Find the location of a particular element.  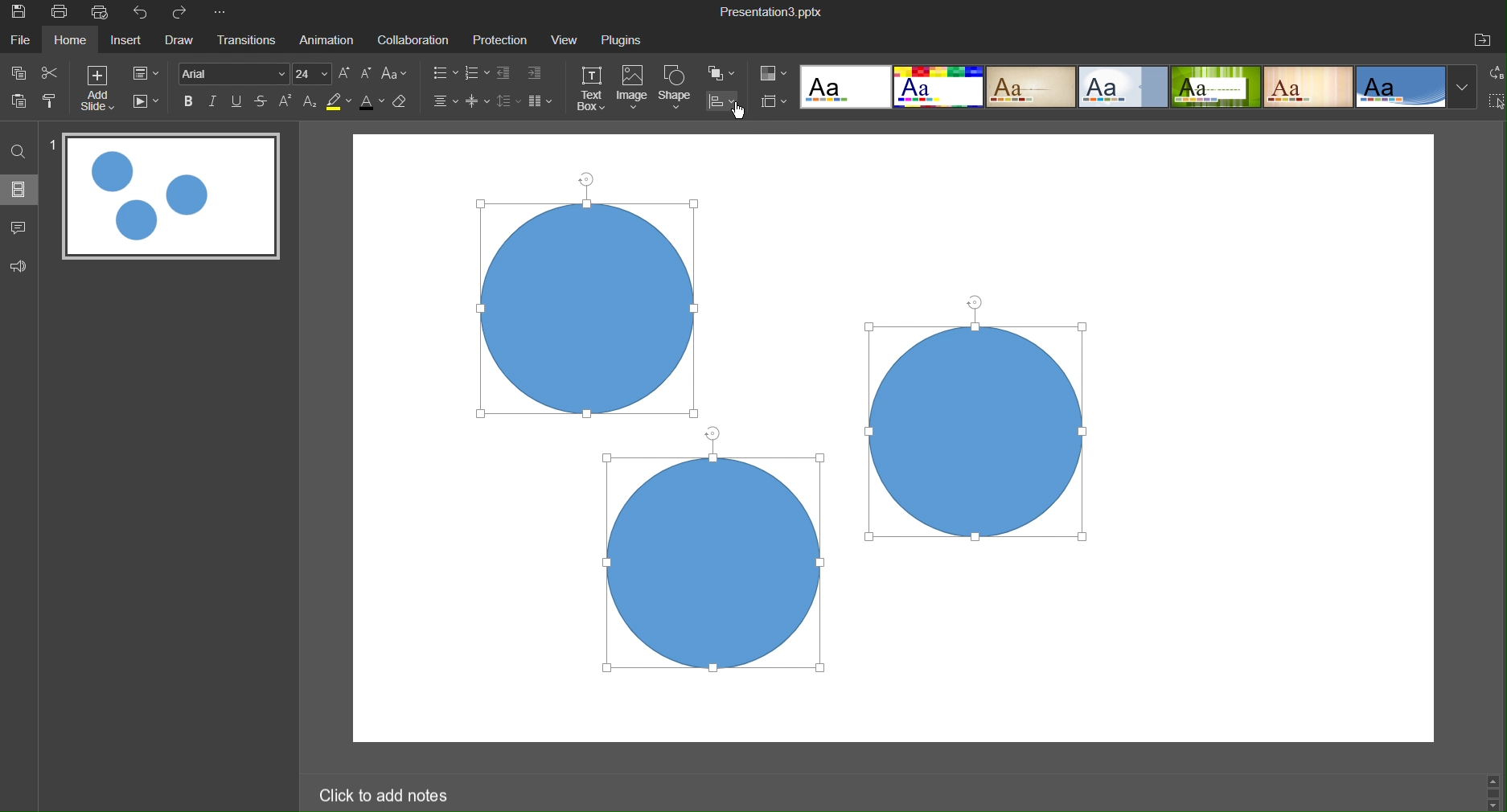

Color is located at coordinates (774, 72).